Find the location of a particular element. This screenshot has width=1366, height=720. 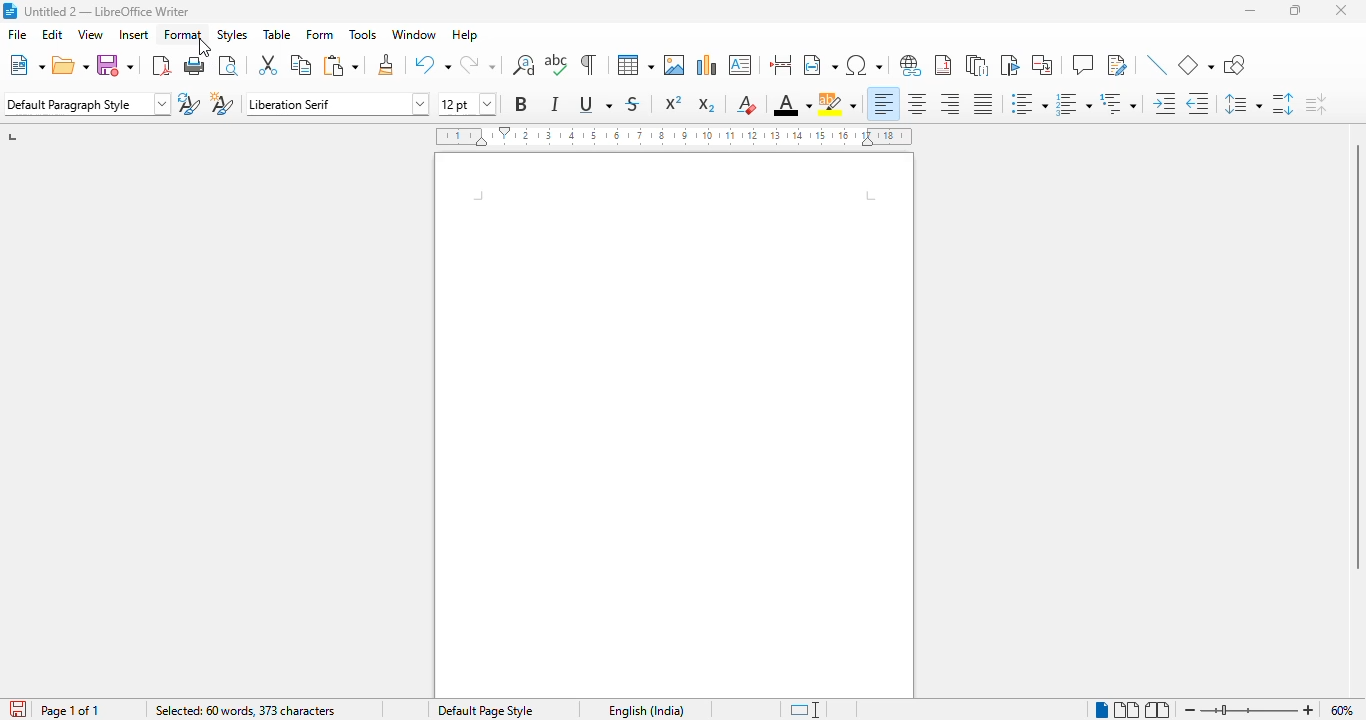

toggle ordered list is located at coordinates (1073, 104).